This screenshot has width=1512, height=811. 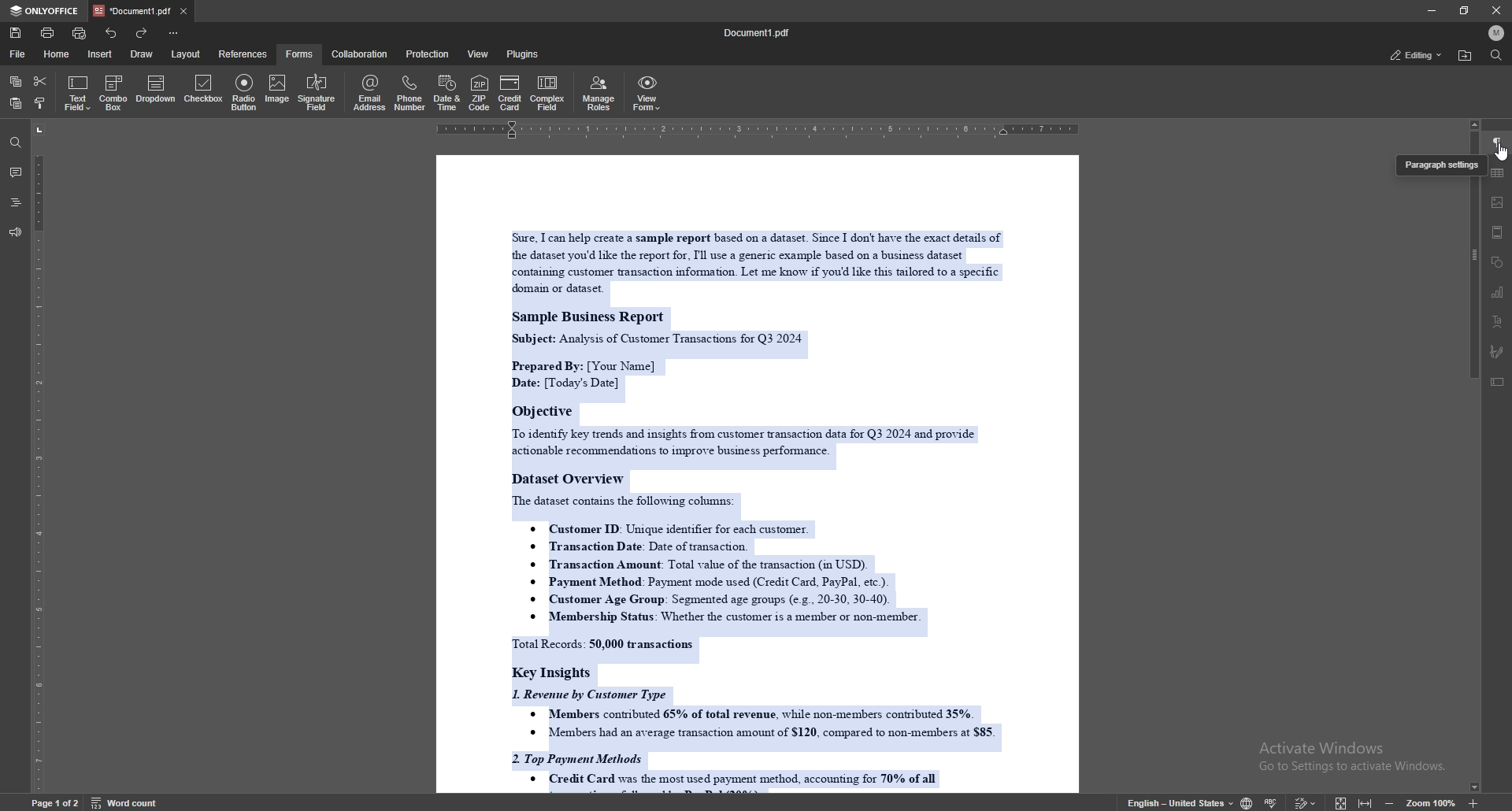 I want to click on undo, so click(x=112, y=33).